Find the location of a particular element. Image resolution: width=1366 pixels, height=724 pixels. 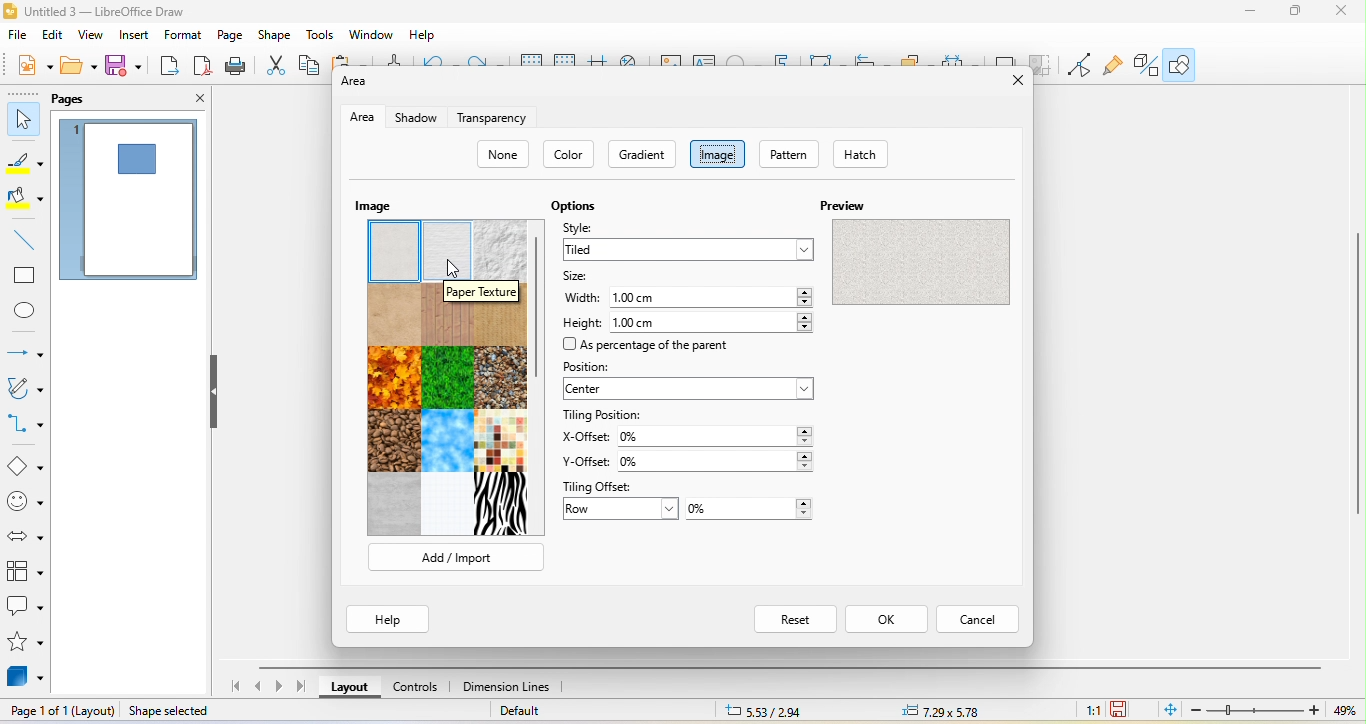

minimze is located at coordinates (1245, 14).